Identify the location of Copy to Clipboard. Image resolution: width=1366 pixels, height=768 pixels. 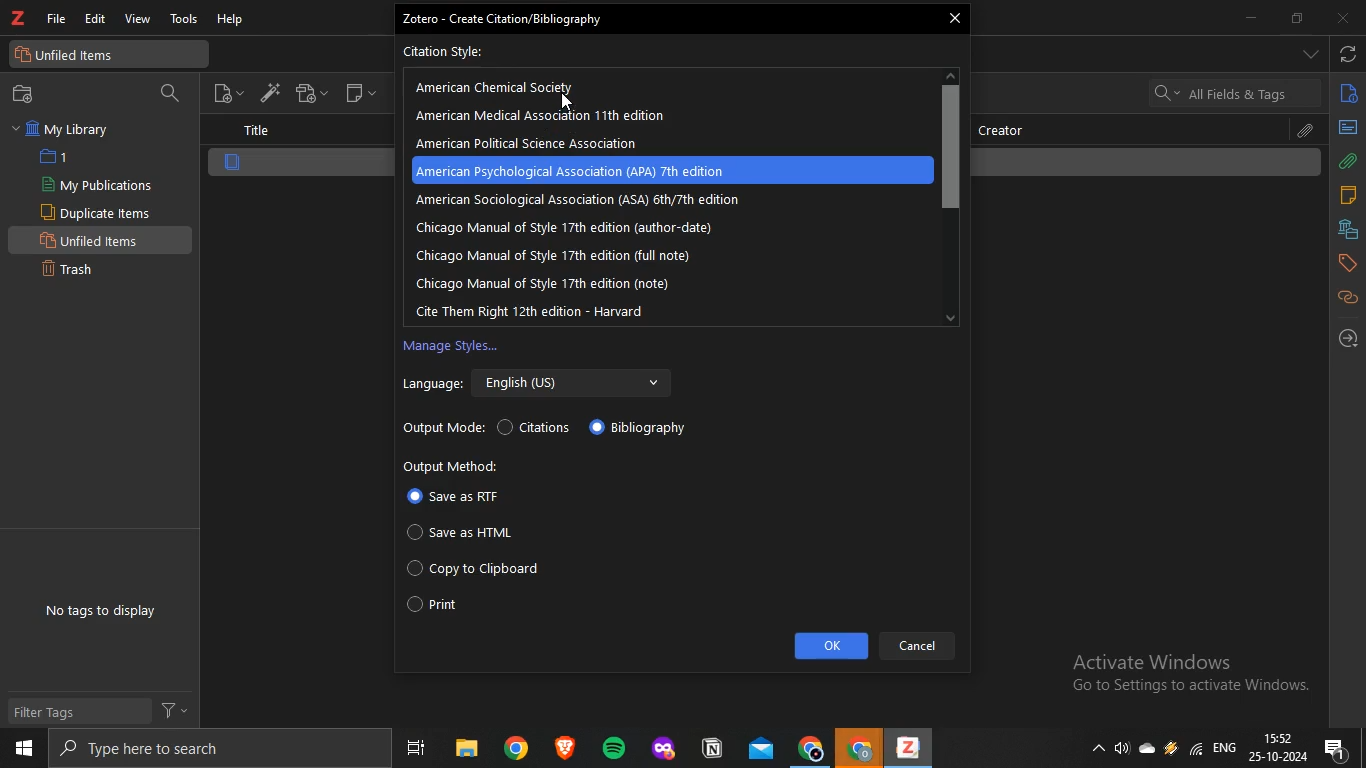
(477, 571).